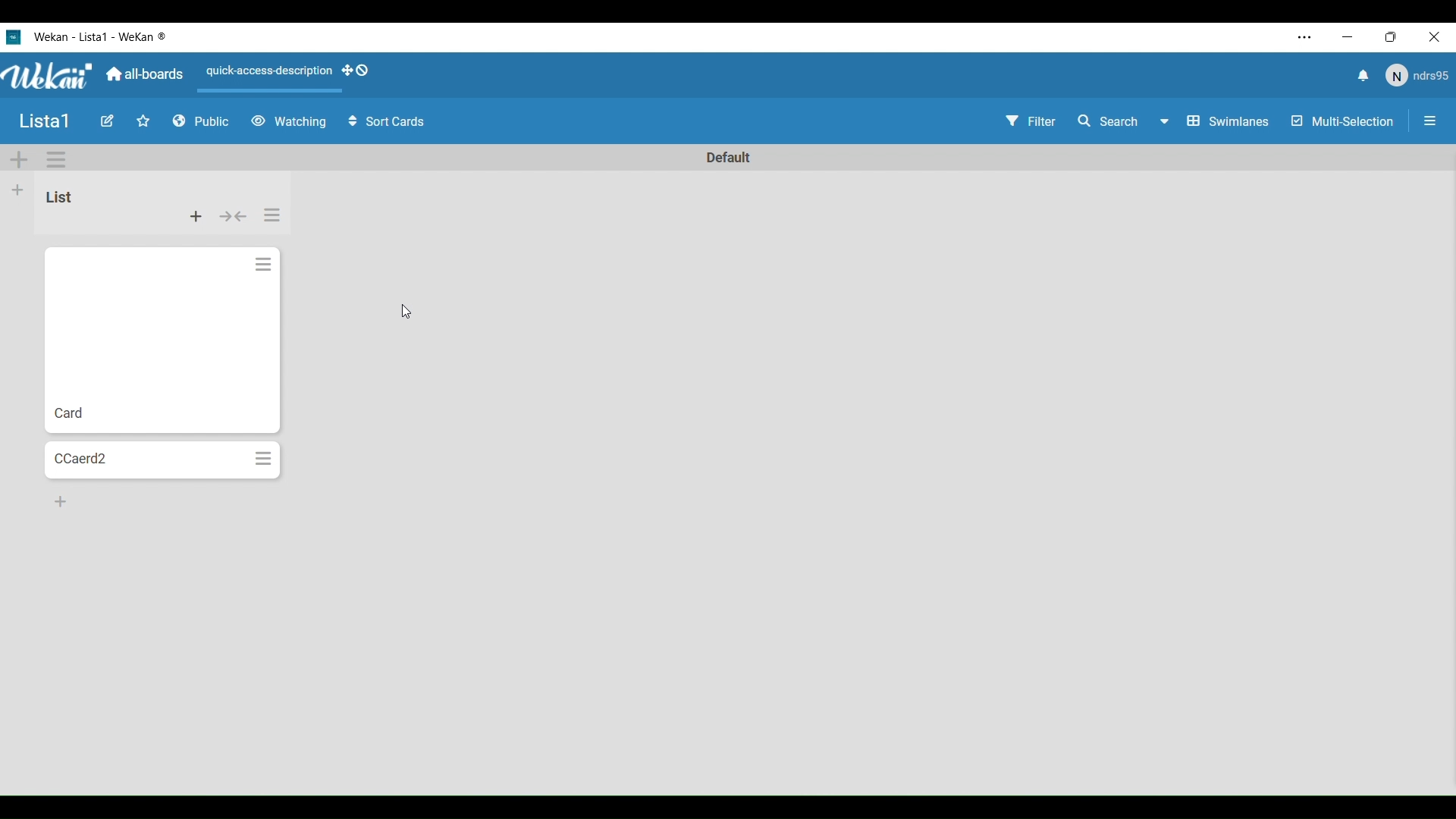  Describe the element at coordinates (405, 311) in the screenshot. I see `Cursor` at that location.